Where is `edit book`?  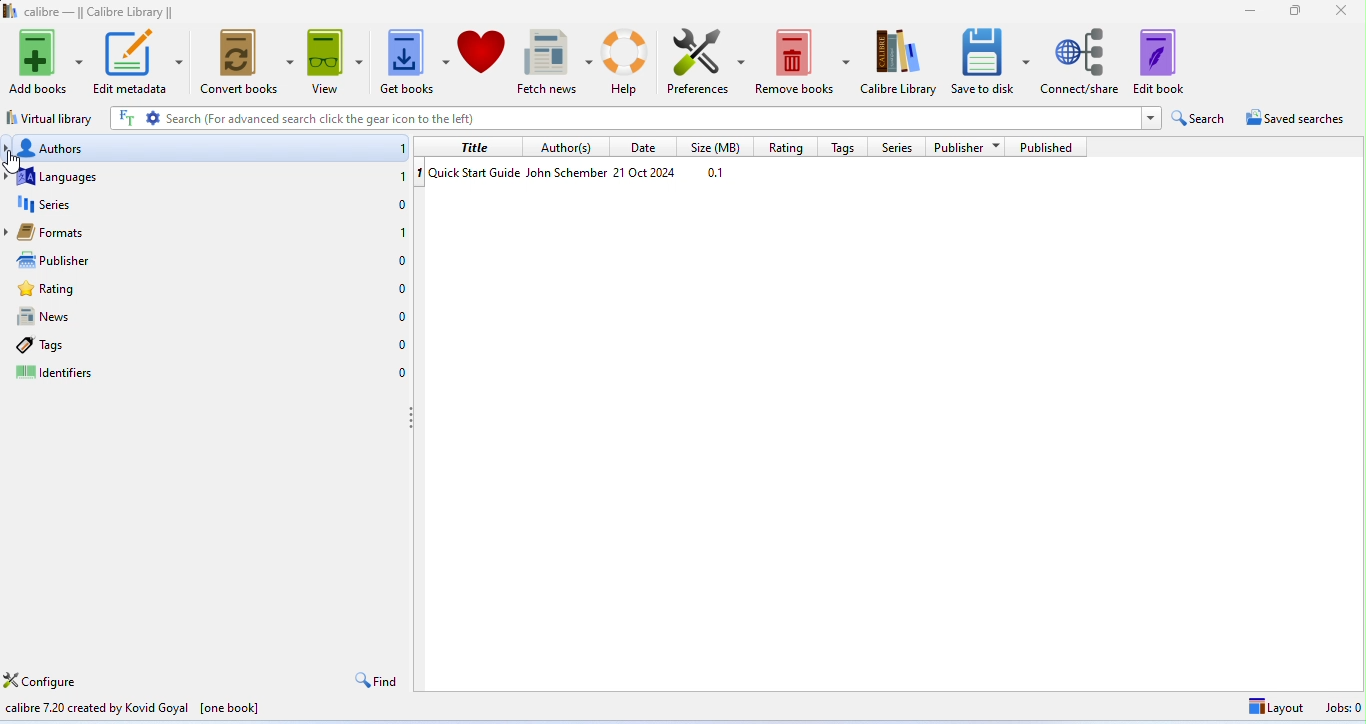
edit book is located at coordinates (1162, 62).